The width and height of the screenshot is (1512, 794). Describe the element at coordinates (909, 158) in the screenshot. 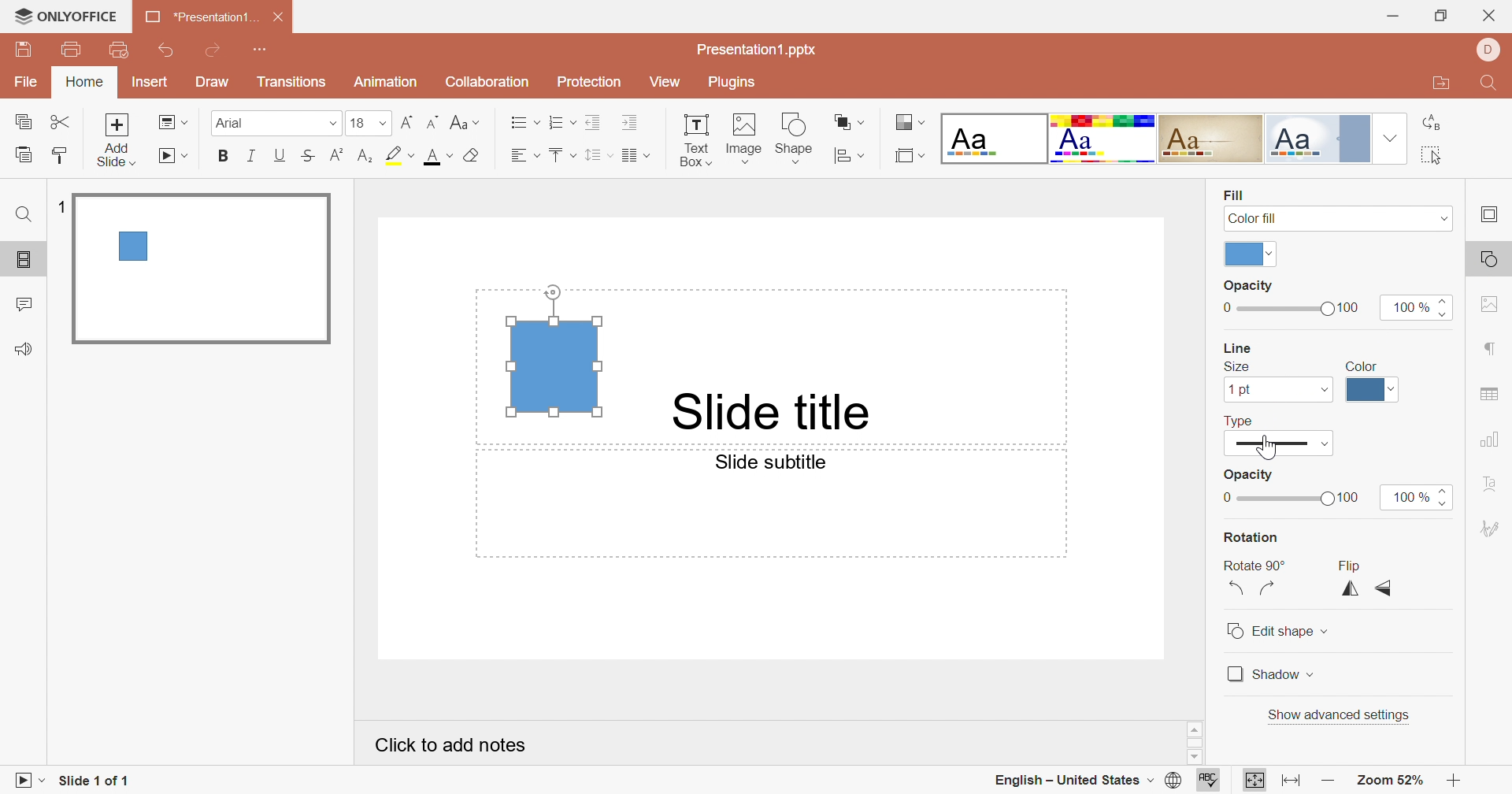

I see `Select slide size` at that location.